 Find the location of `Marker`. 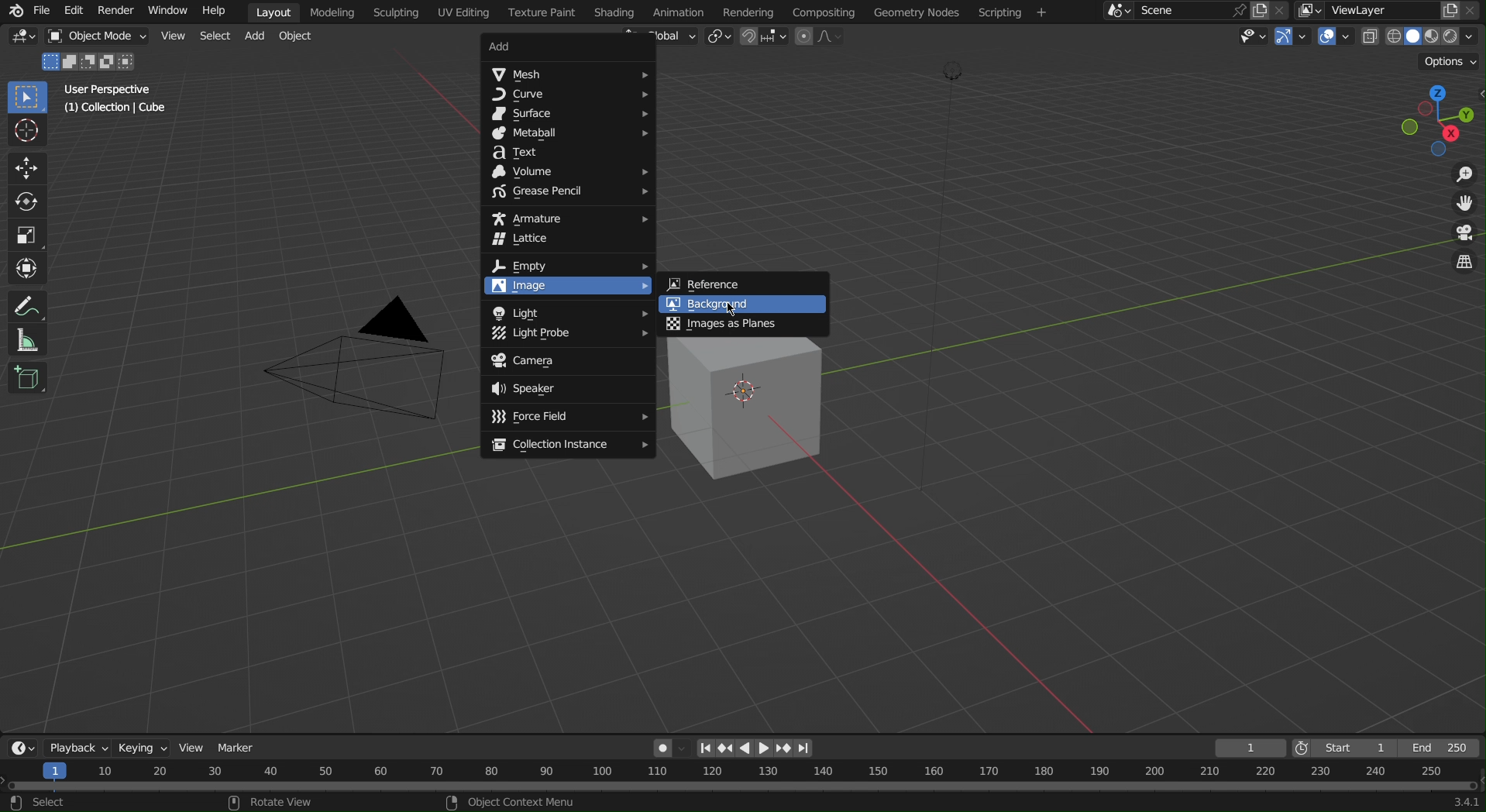

Marker is located at coordinates (242, 746).